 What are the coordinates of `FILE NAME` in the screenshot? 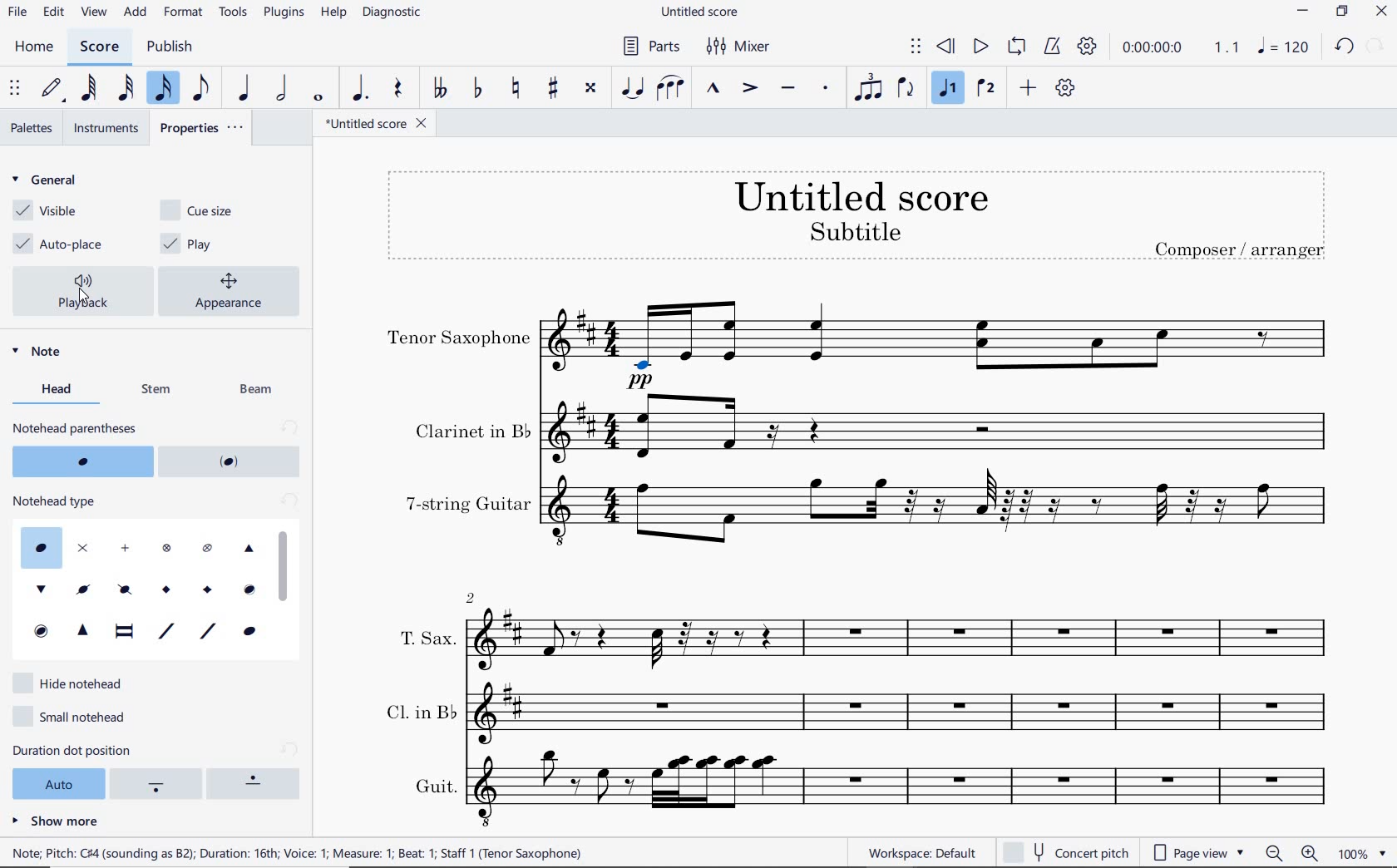 It's located at (699, 13).